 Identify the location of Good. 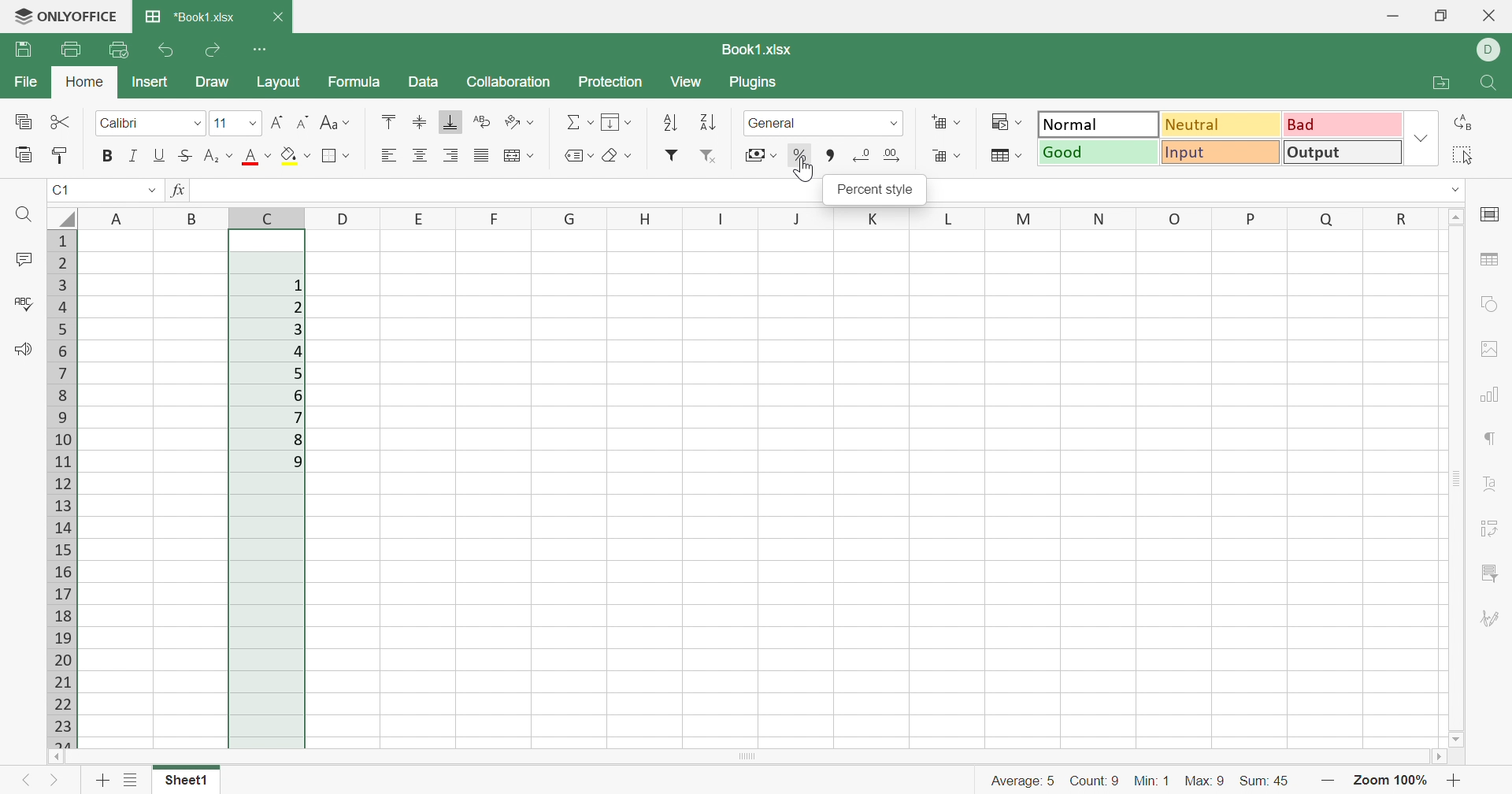
(1099, 153).